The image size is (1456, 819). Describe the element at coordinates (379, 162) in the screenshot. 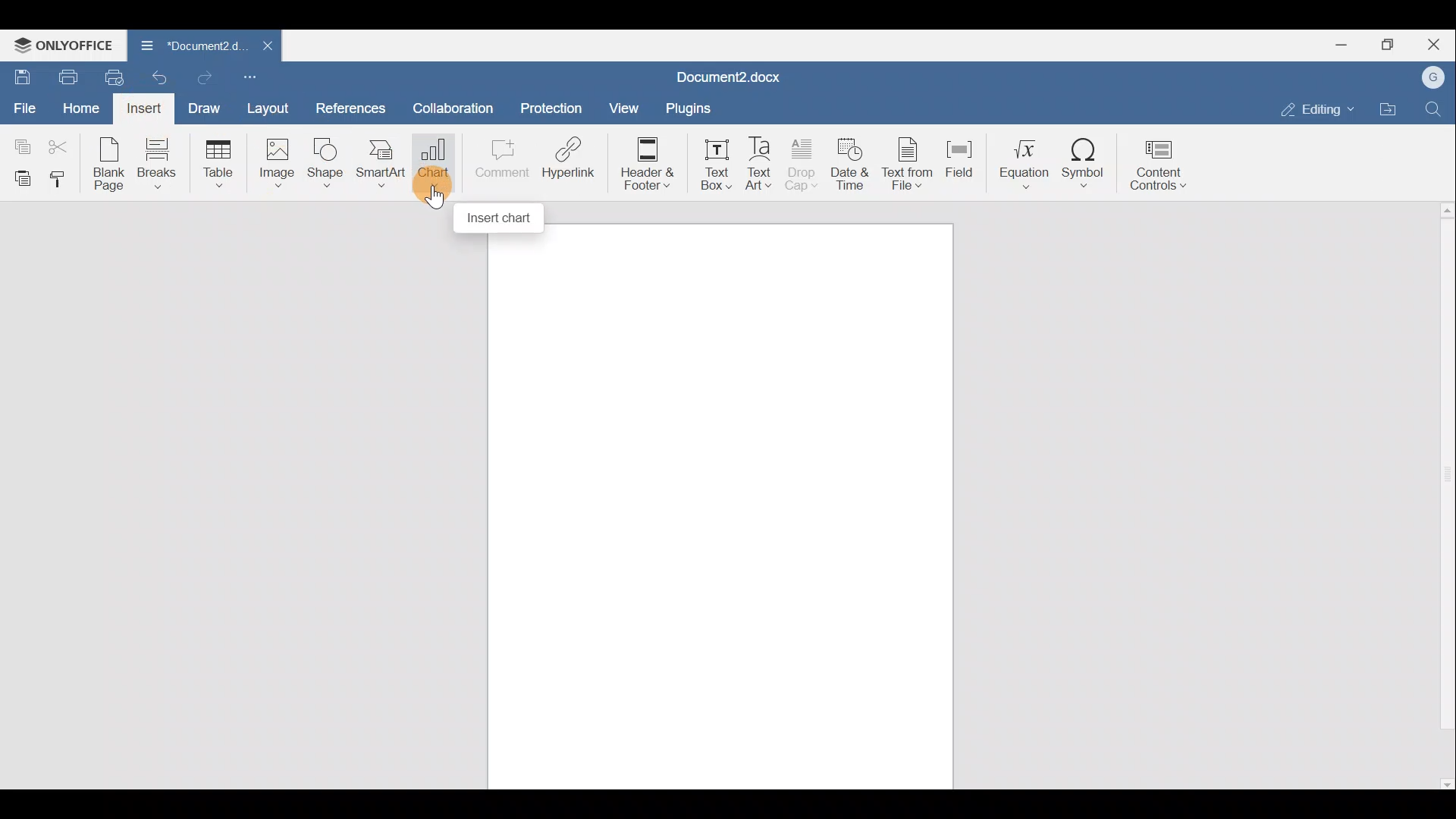

I see `SmartArt` at that location.